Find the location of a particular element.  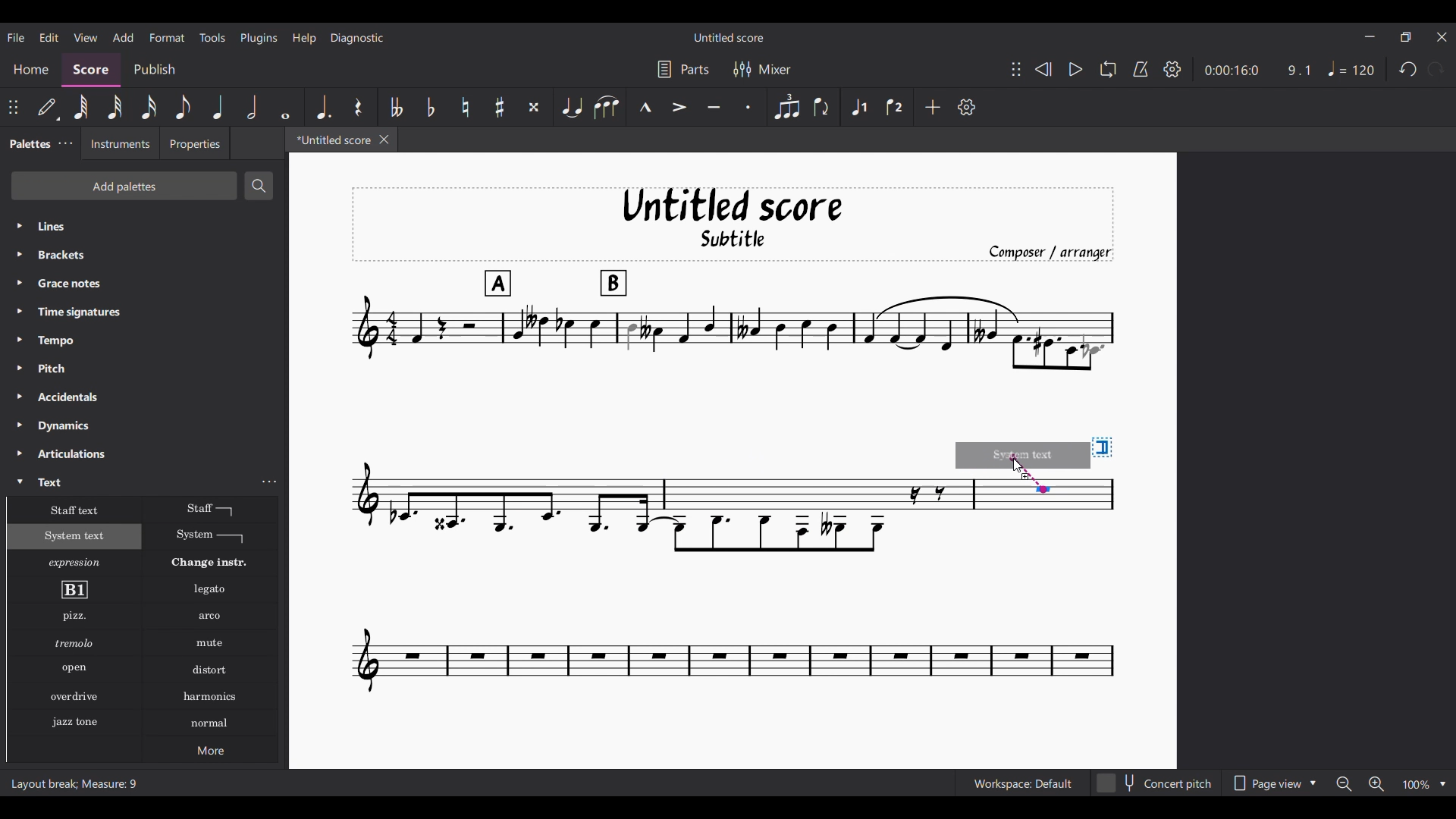

Change instr. is located at coordinates (209, 563).